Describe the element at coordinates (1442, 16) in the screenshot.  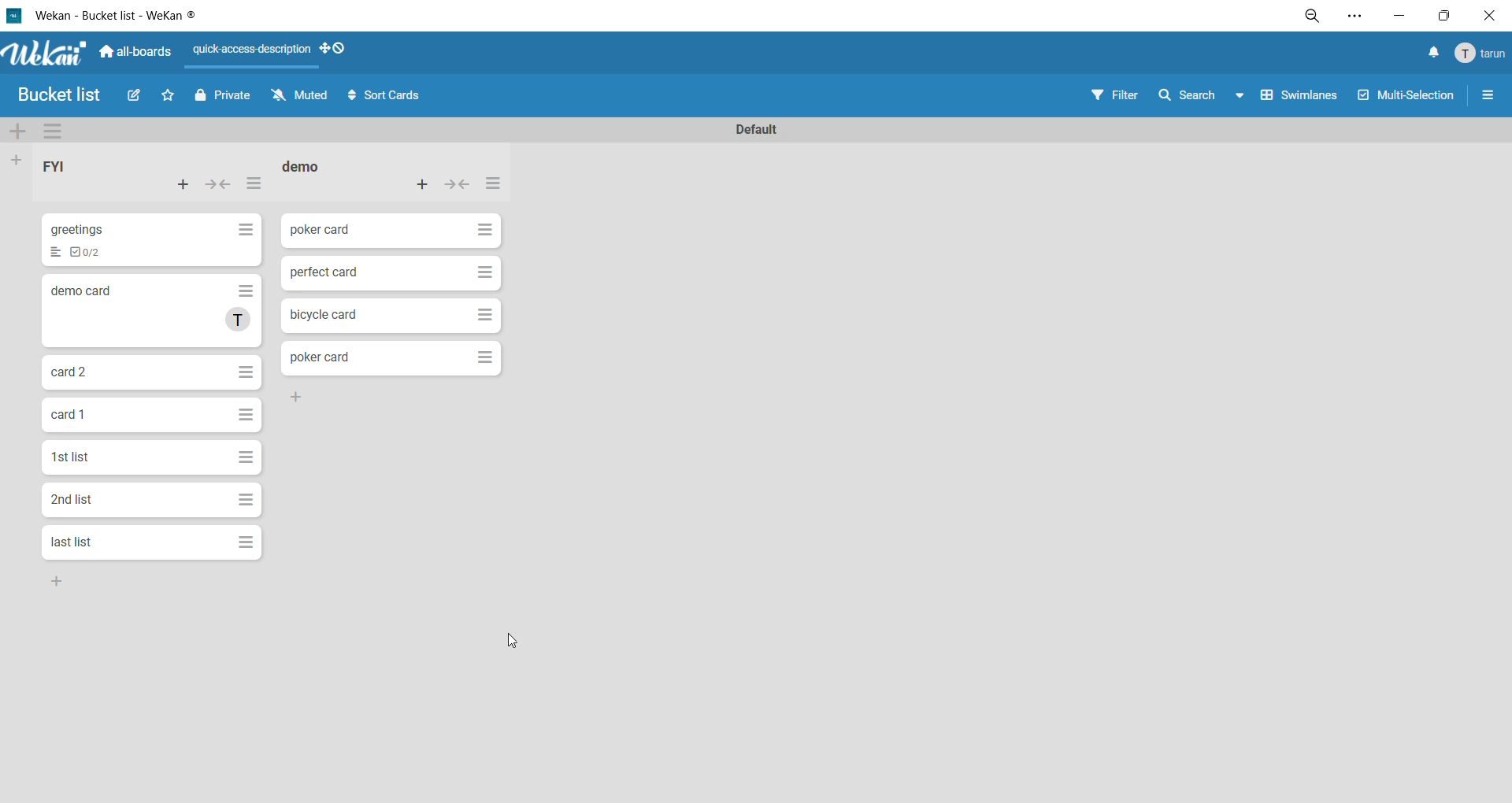
I see `maximize` at that location.